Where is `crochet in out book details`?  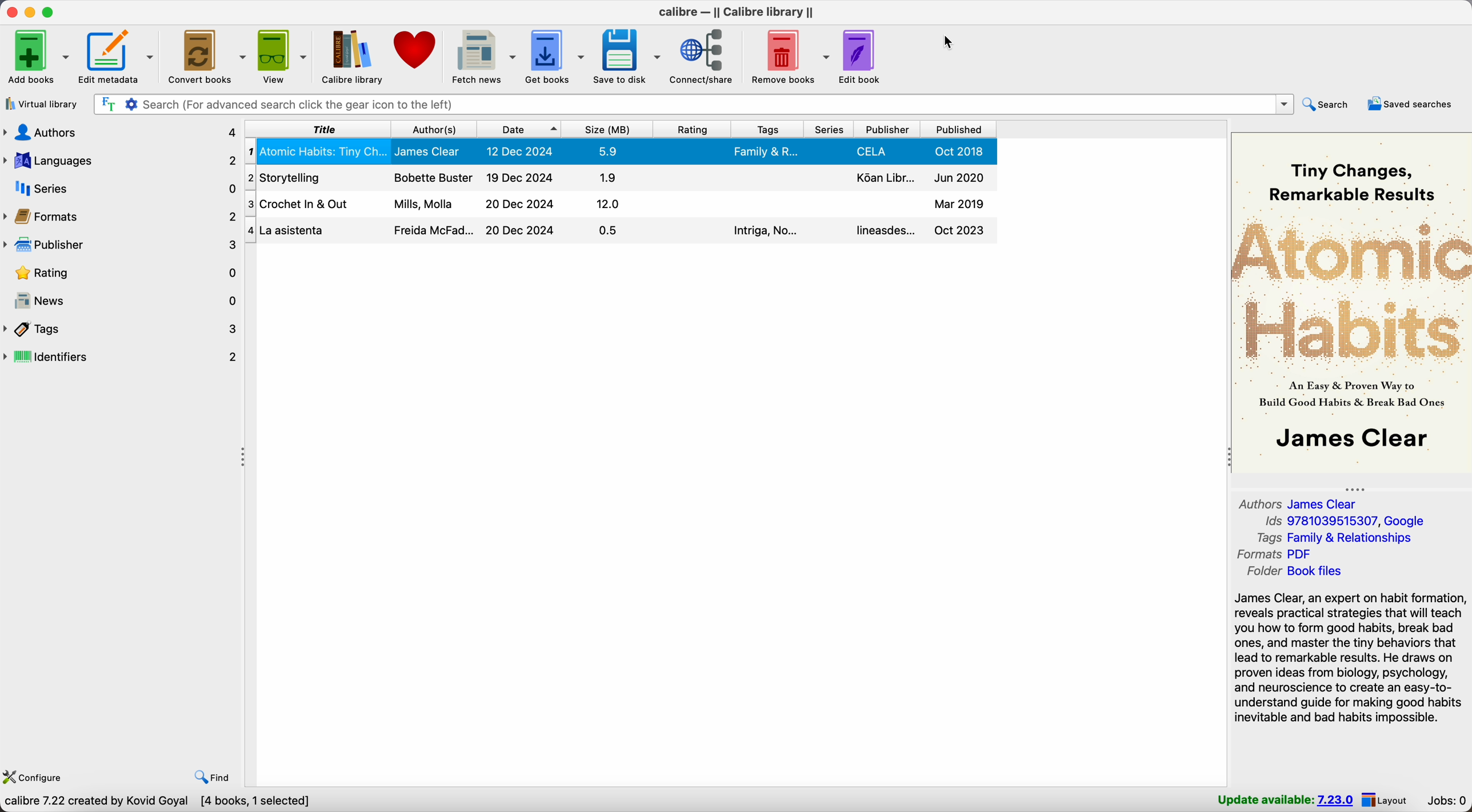 crochet in out book details is located at coordinates (619, 204).